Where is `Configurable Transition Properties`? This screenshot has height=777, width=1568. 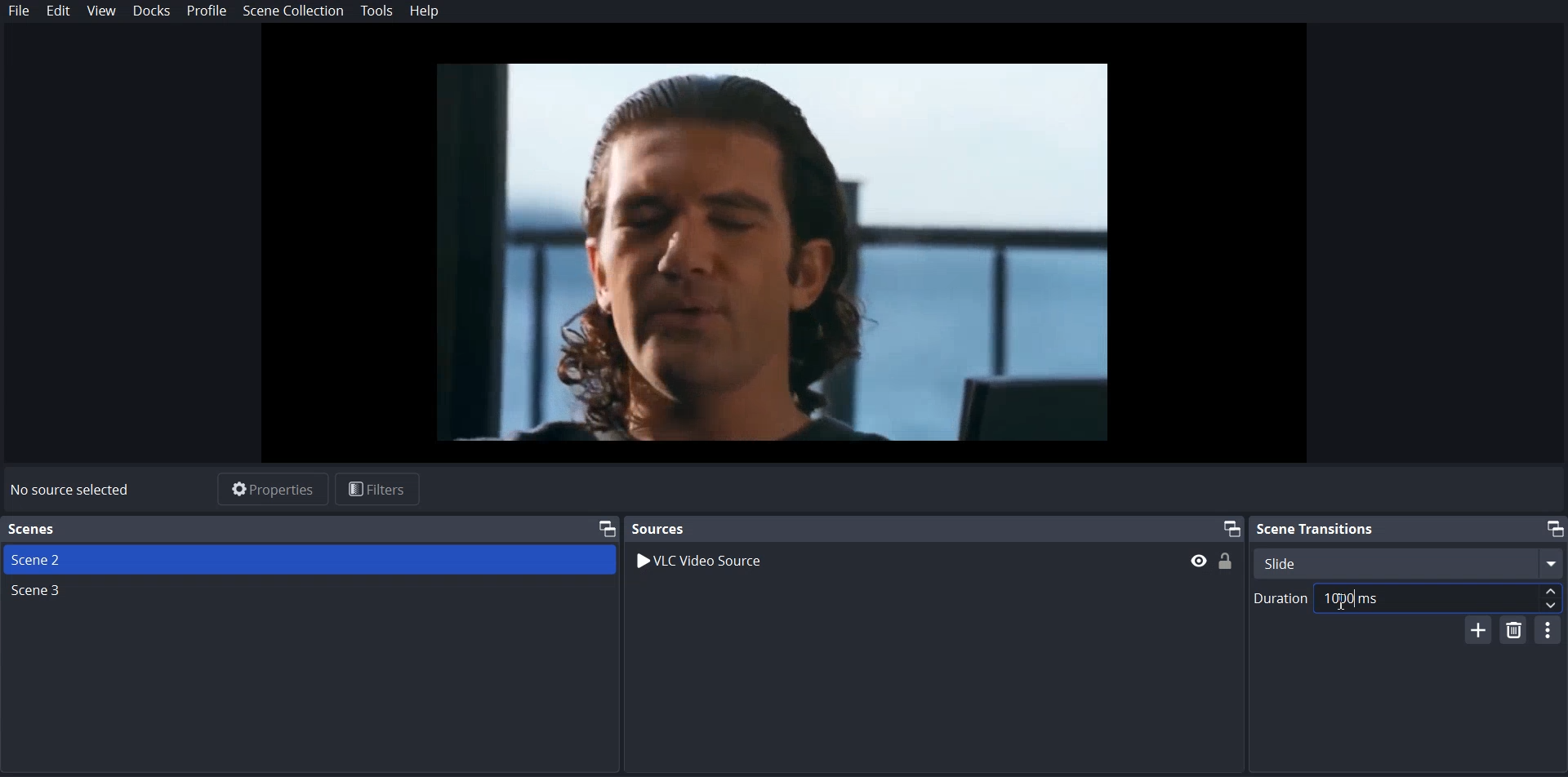
Configurable Transition Properties is located at coordinates (1548, 629).